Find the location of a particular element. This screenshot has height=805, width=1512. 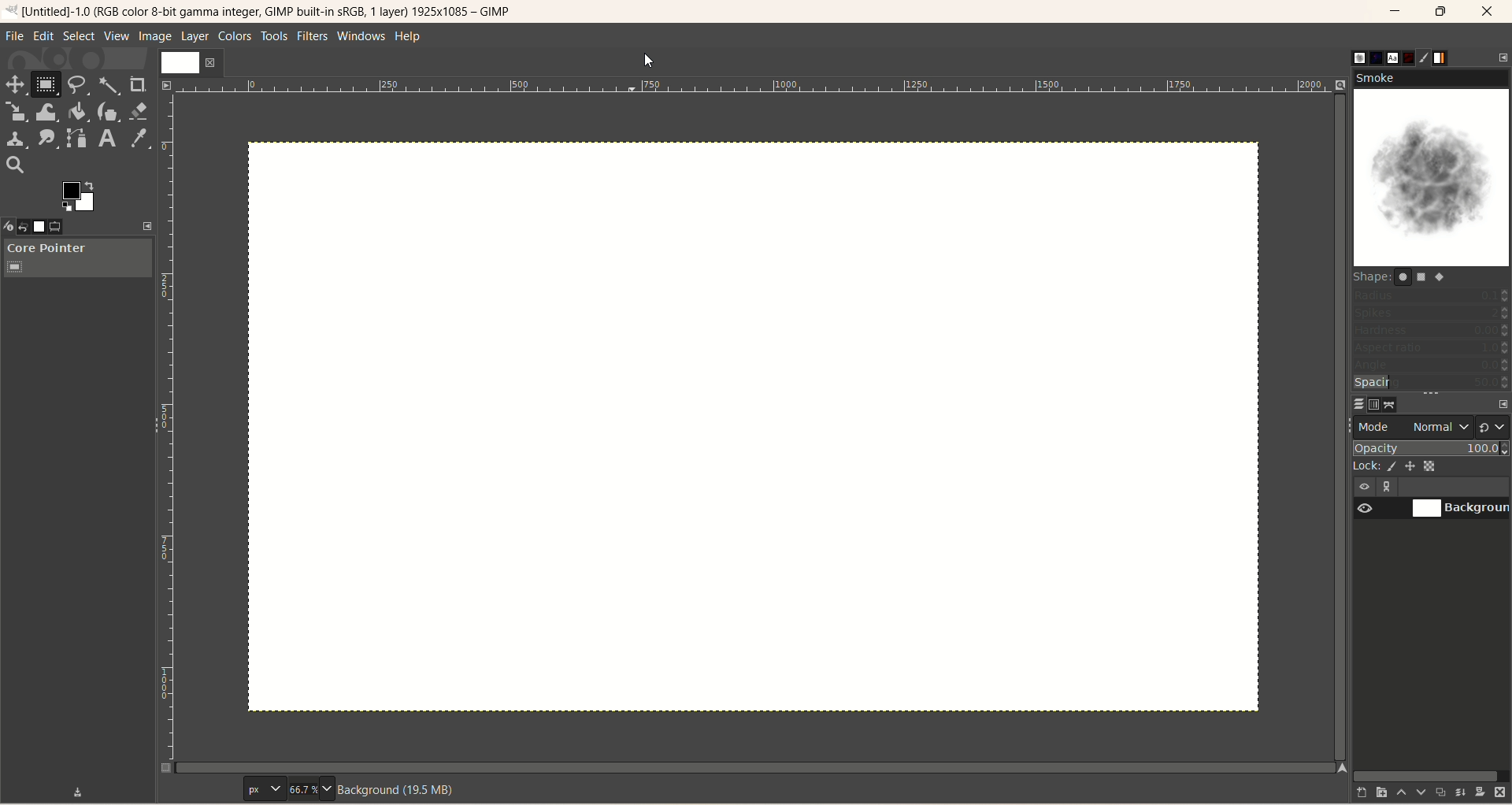

colors is located at coordinates (236, 36).